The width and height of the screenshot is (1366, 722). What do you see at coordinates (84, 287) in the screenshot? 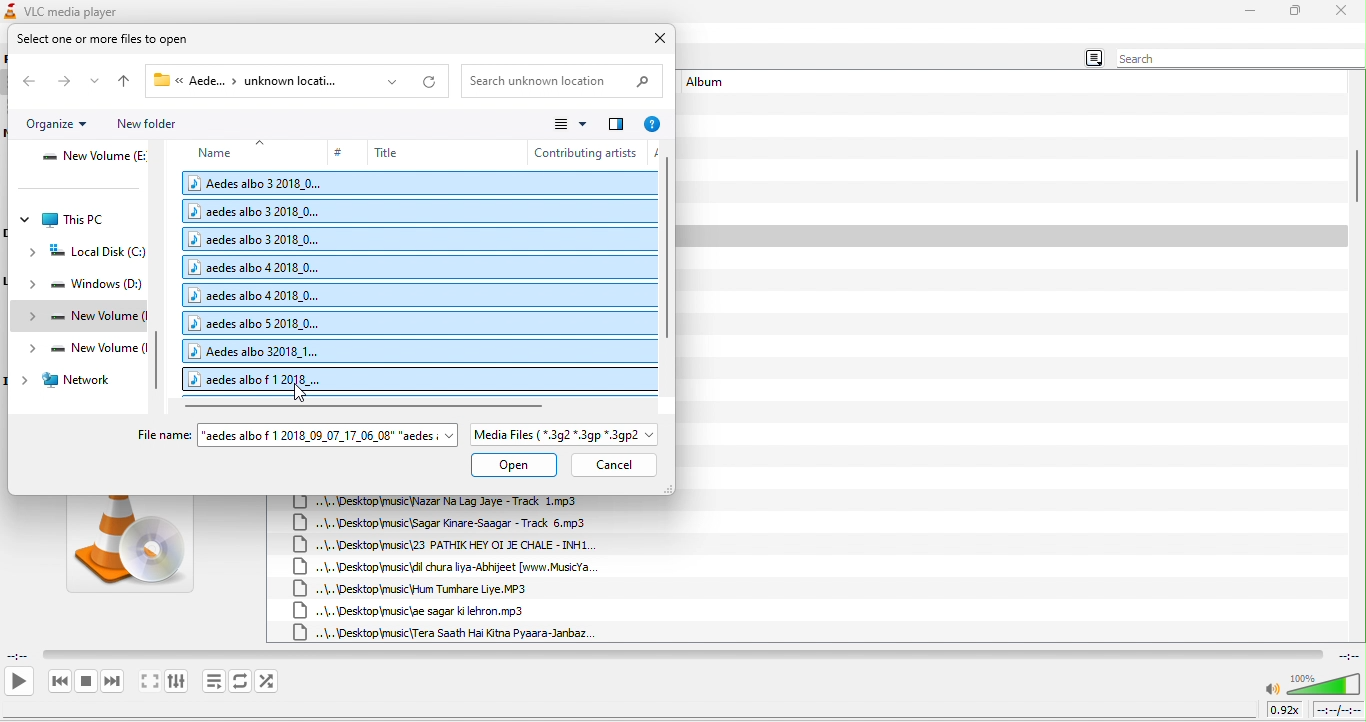
I see `windows (D:)` at bounding box center [84, 287].